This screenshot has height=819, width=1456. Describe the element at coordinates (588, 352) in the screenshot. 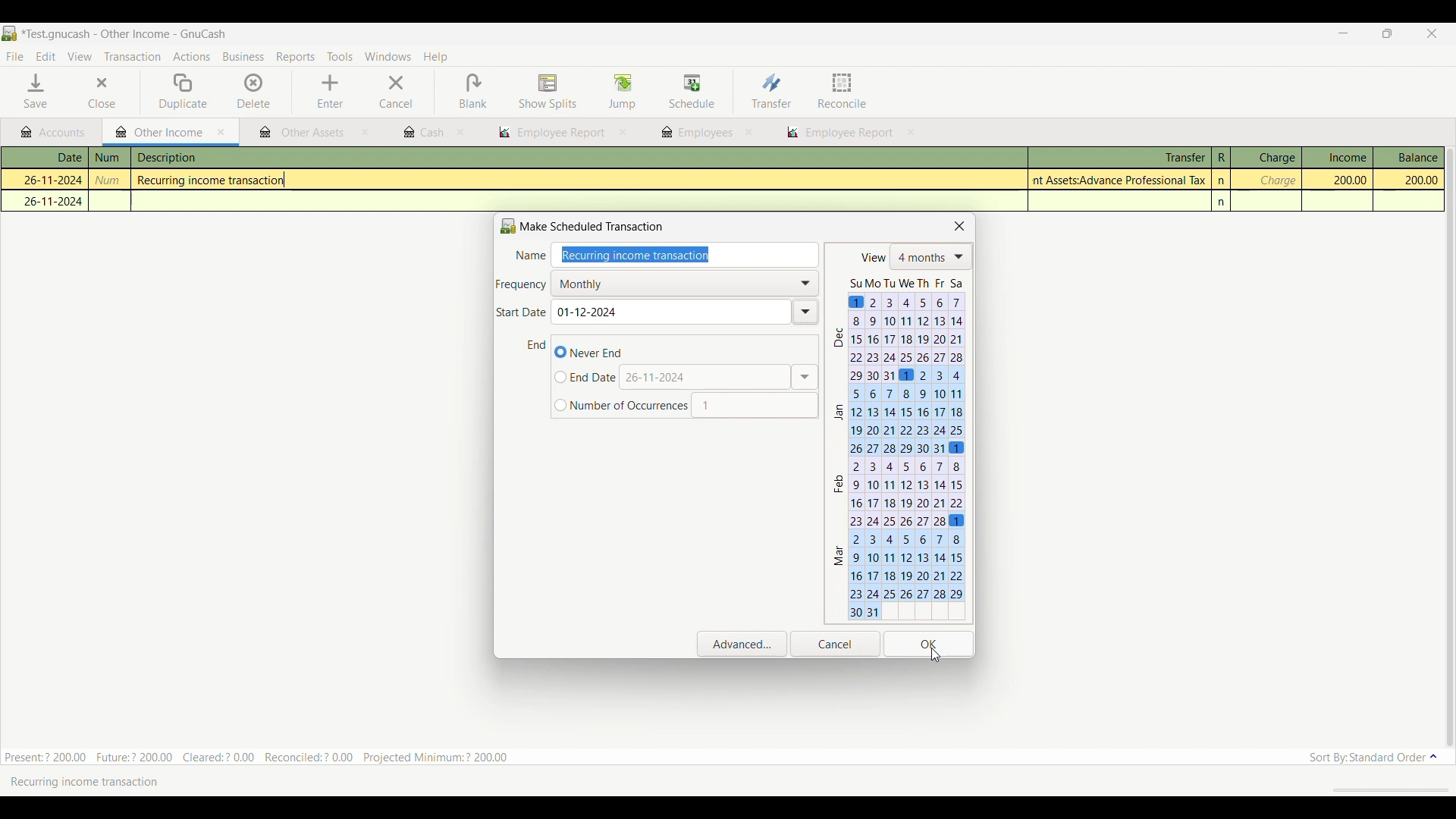

I see `Never end transaction, current selection` at that location.